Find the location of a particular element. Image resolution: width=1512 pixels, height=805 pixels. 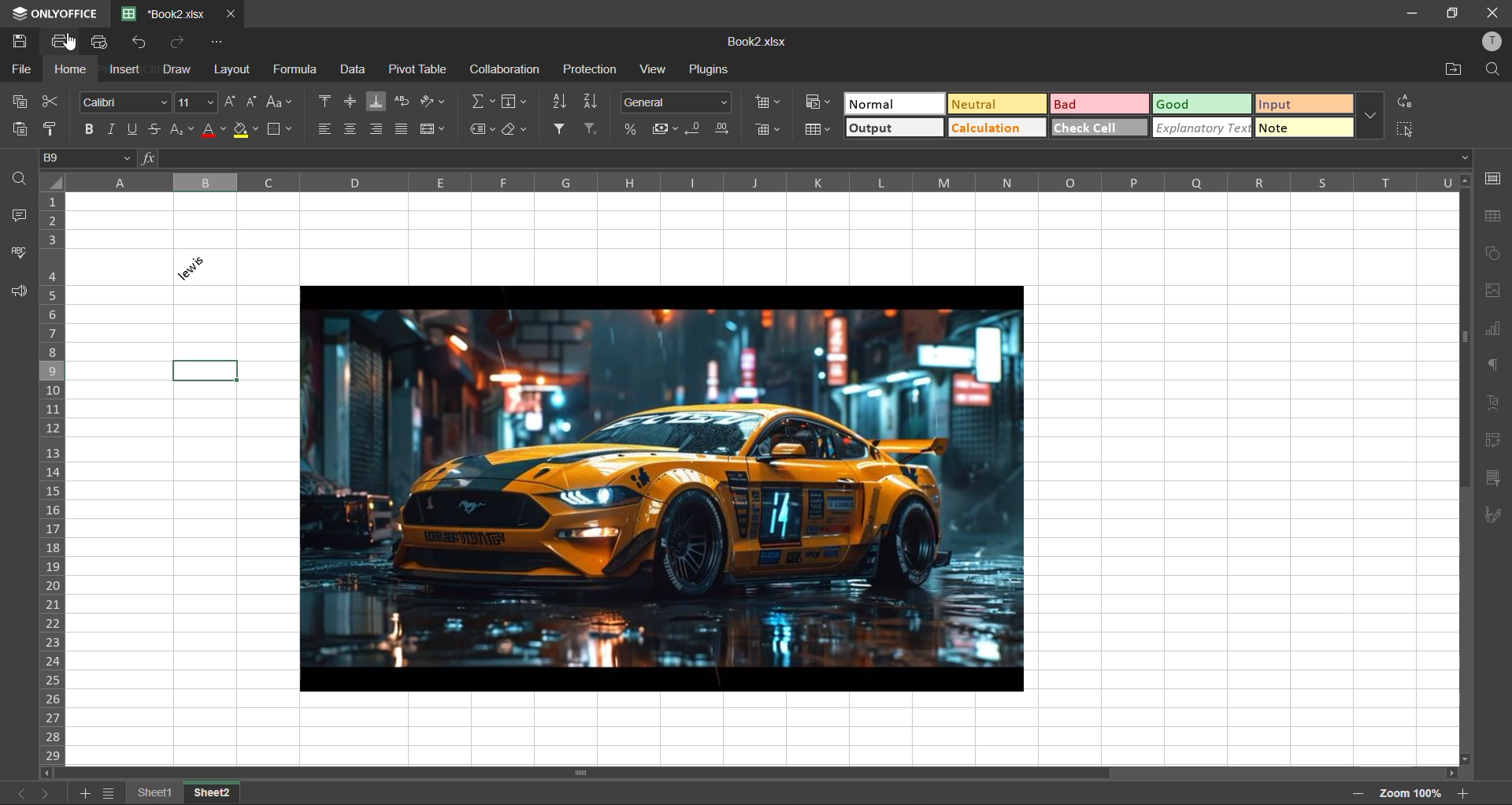

copy style is located at coordinates (54, 128).